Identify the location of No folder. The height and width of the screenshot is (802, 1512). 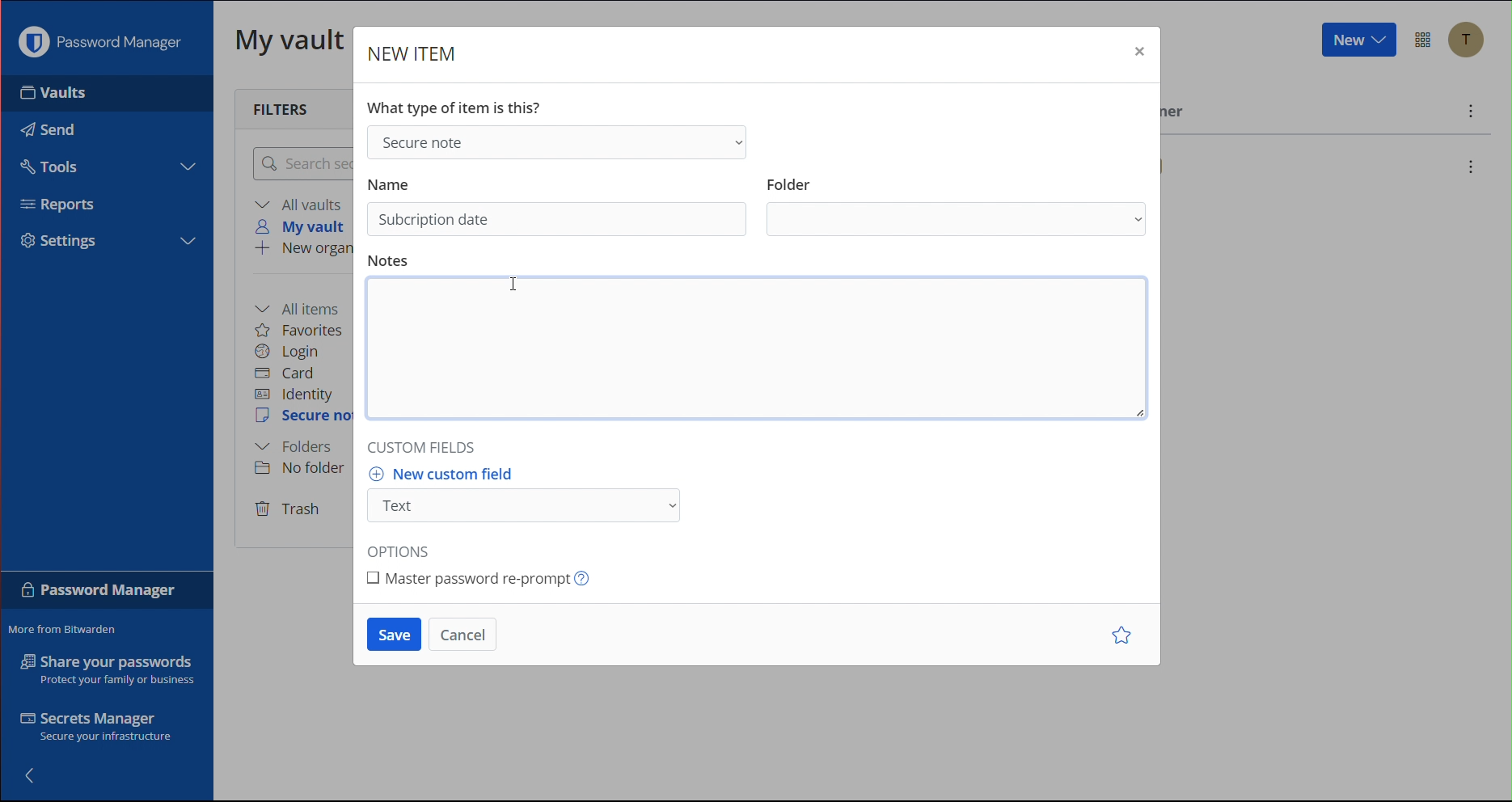
(305, 467).